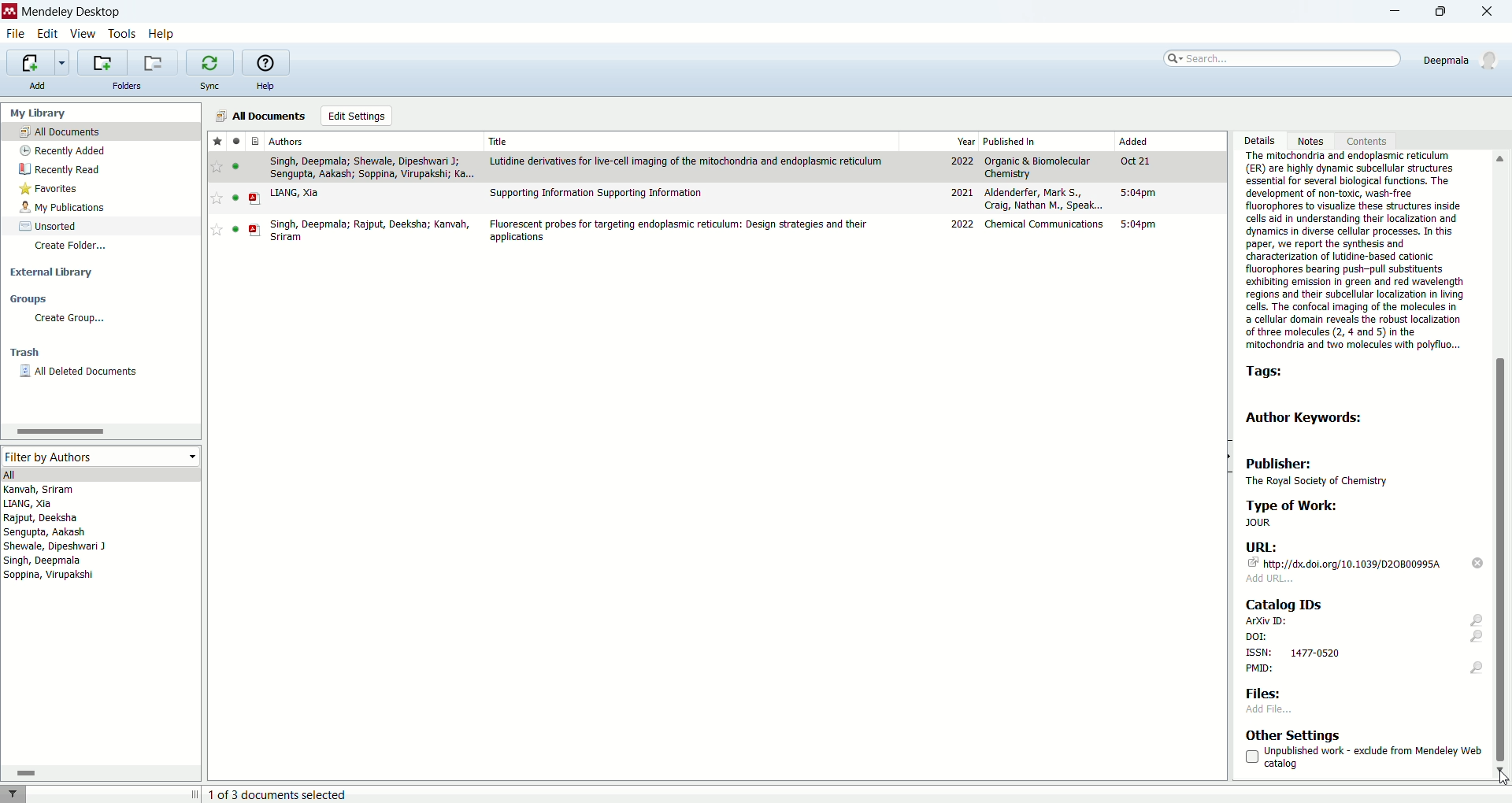  What do you see at coordinates (80, 372) in the screenshot?
I see `all deleted documents` at bounding box center [80, 372].